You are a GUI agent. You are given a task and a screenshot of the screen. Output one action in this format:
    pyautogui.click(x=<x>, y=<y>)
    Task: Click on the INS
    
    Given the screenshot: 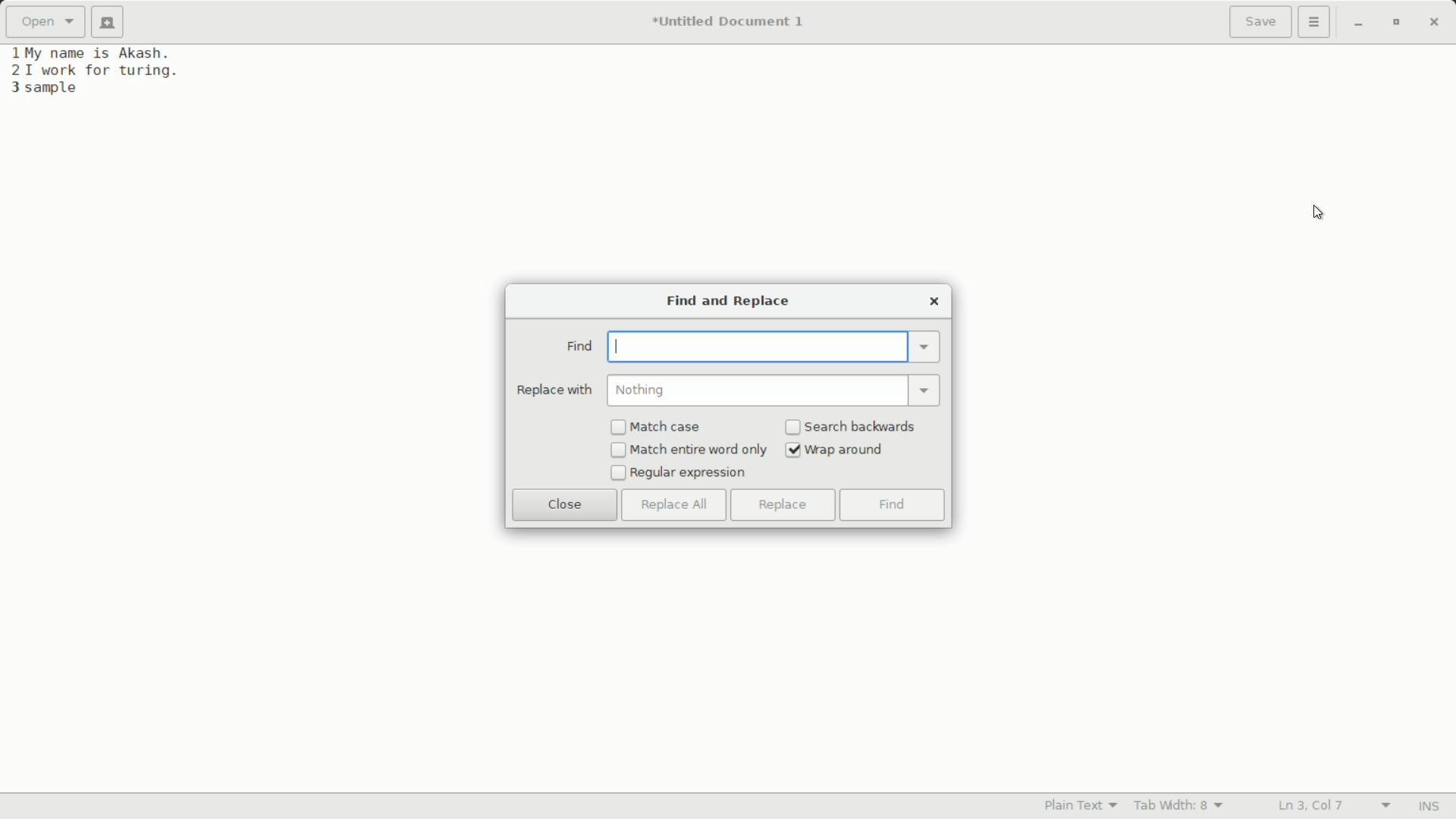 What is the action you would take?
    pyautogui.click(x=1428, y=807)
    